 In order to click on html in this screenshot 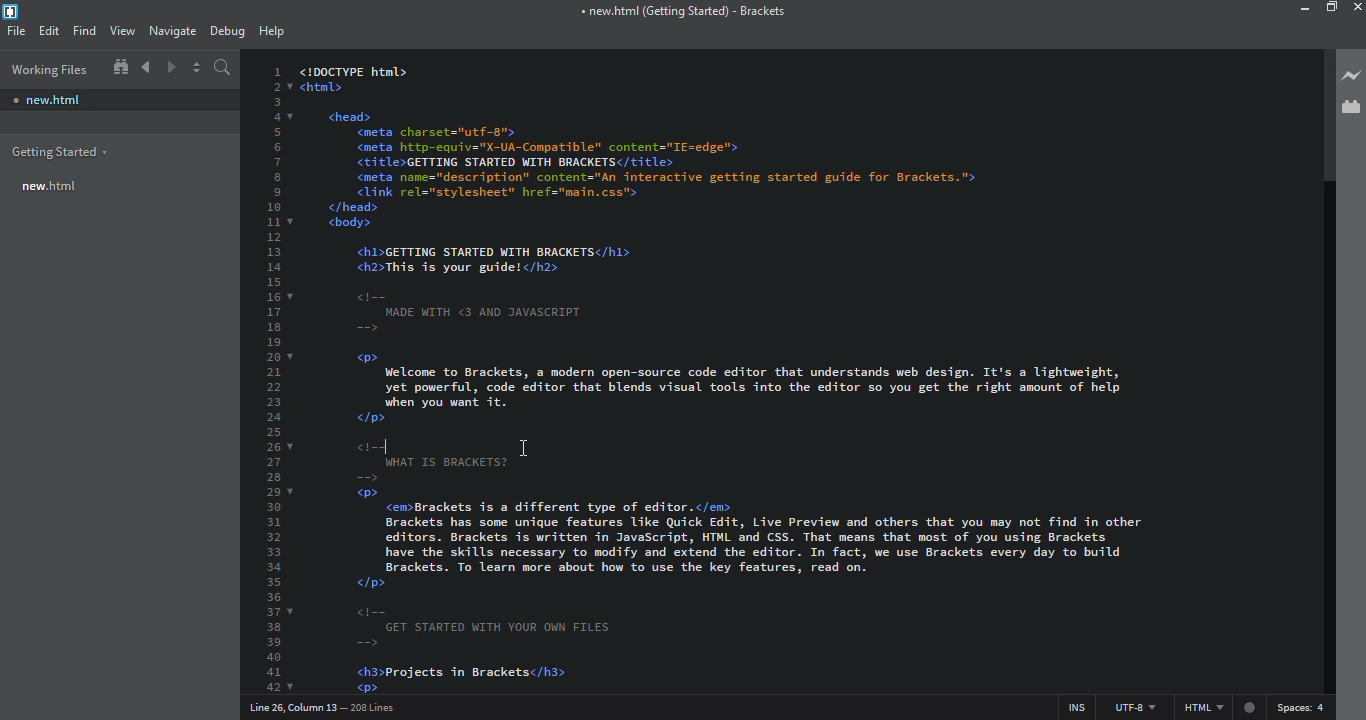, I will do `click(1221, 707)`.